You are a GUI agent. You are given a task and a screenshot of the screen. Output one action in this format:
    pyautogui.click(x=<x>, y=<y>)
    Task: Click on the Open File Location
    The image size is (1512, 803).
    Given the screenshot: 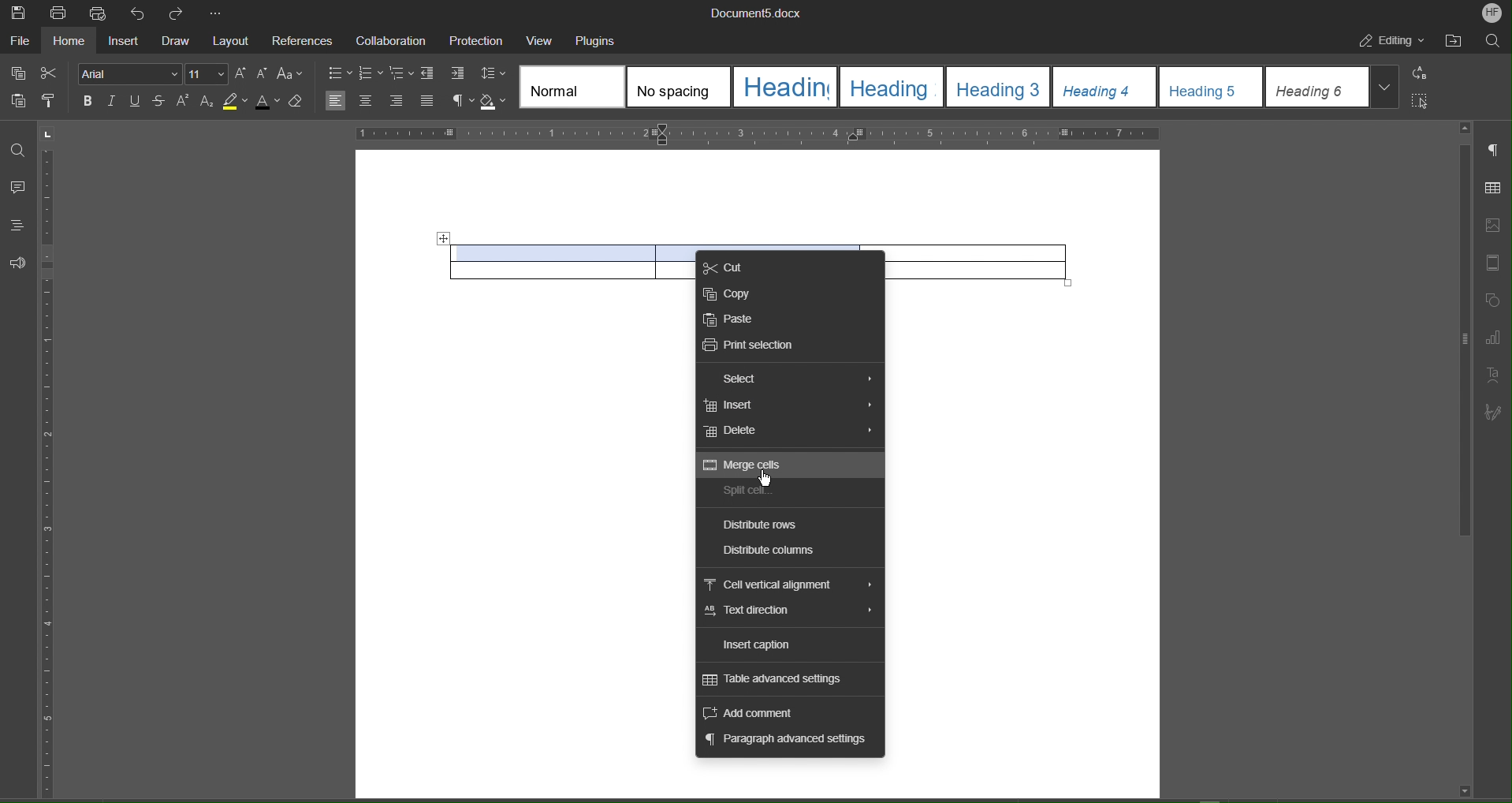 What is the action you would take?
    pyautogui.click(x=1456, y=42)
    